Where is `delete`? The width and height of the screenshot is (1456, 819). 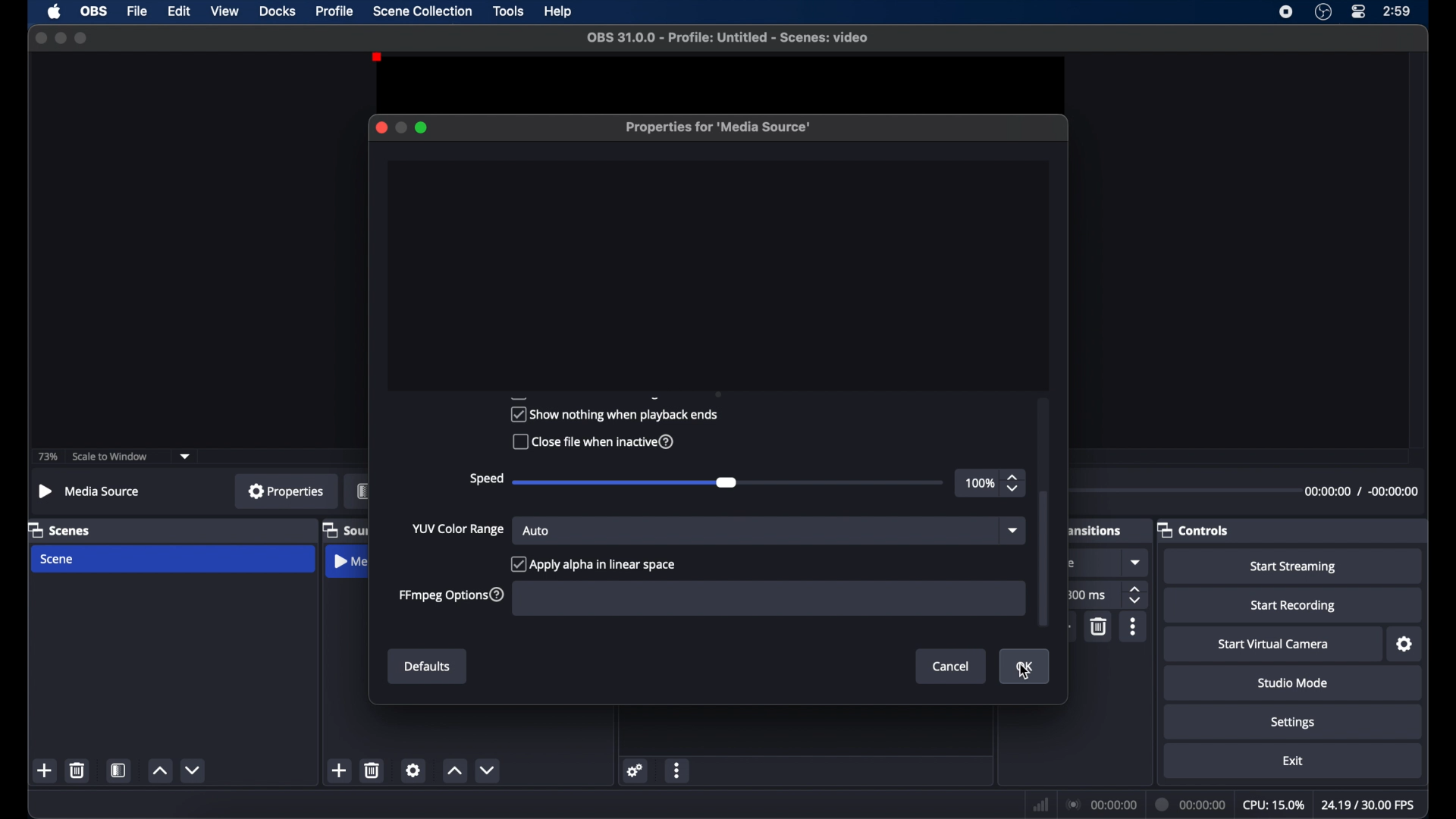 delete is located at coordinates (1100, 627).